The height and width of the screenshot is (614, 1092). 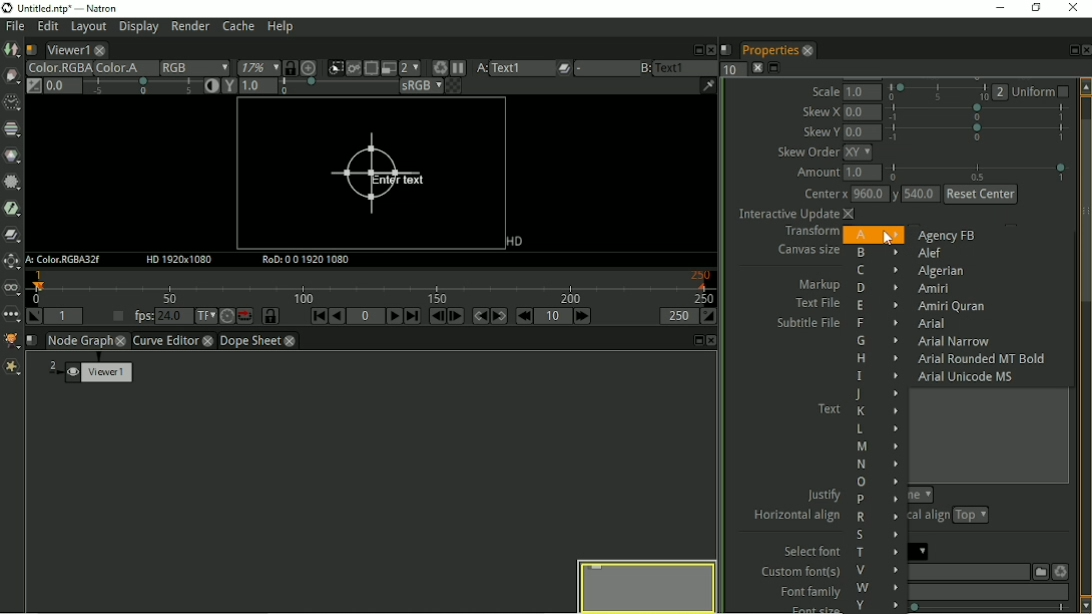 What do you see at coordinates (920, 495) in the screenshot?
I see `none` at bounding box center [920, 495].